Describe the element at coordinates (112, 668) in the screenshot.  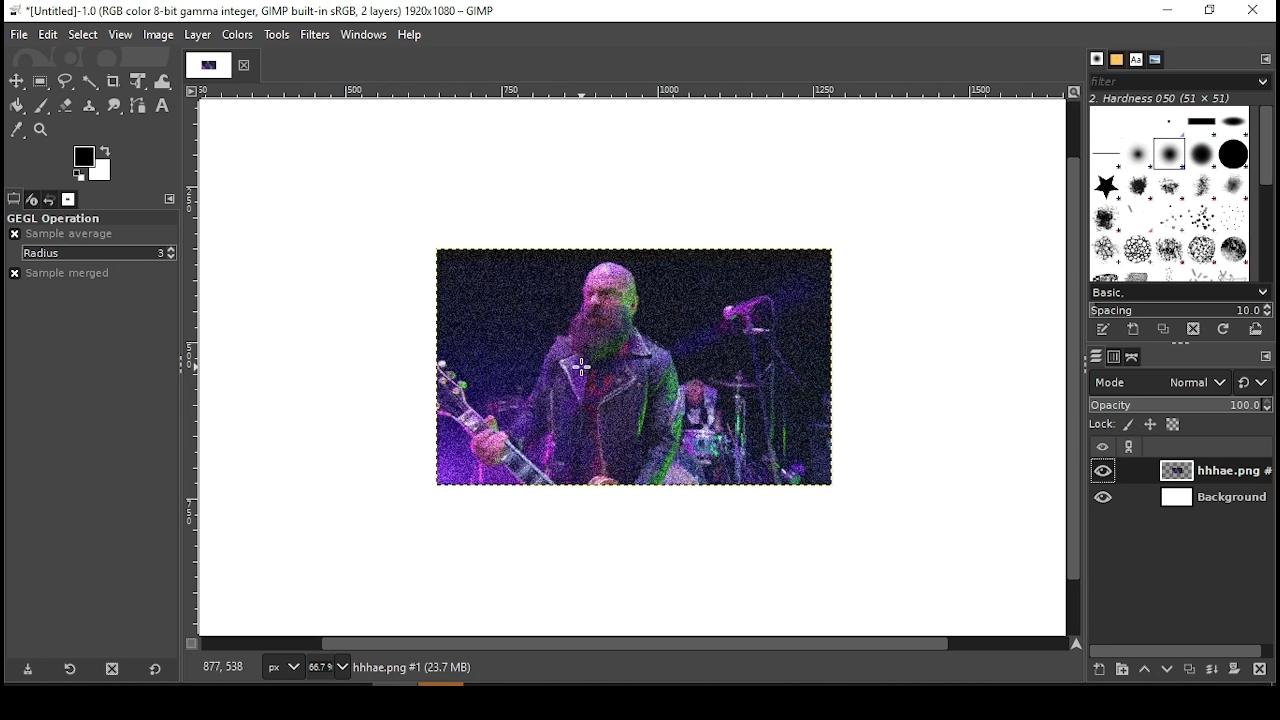
I see `delete tool preset` at that location.